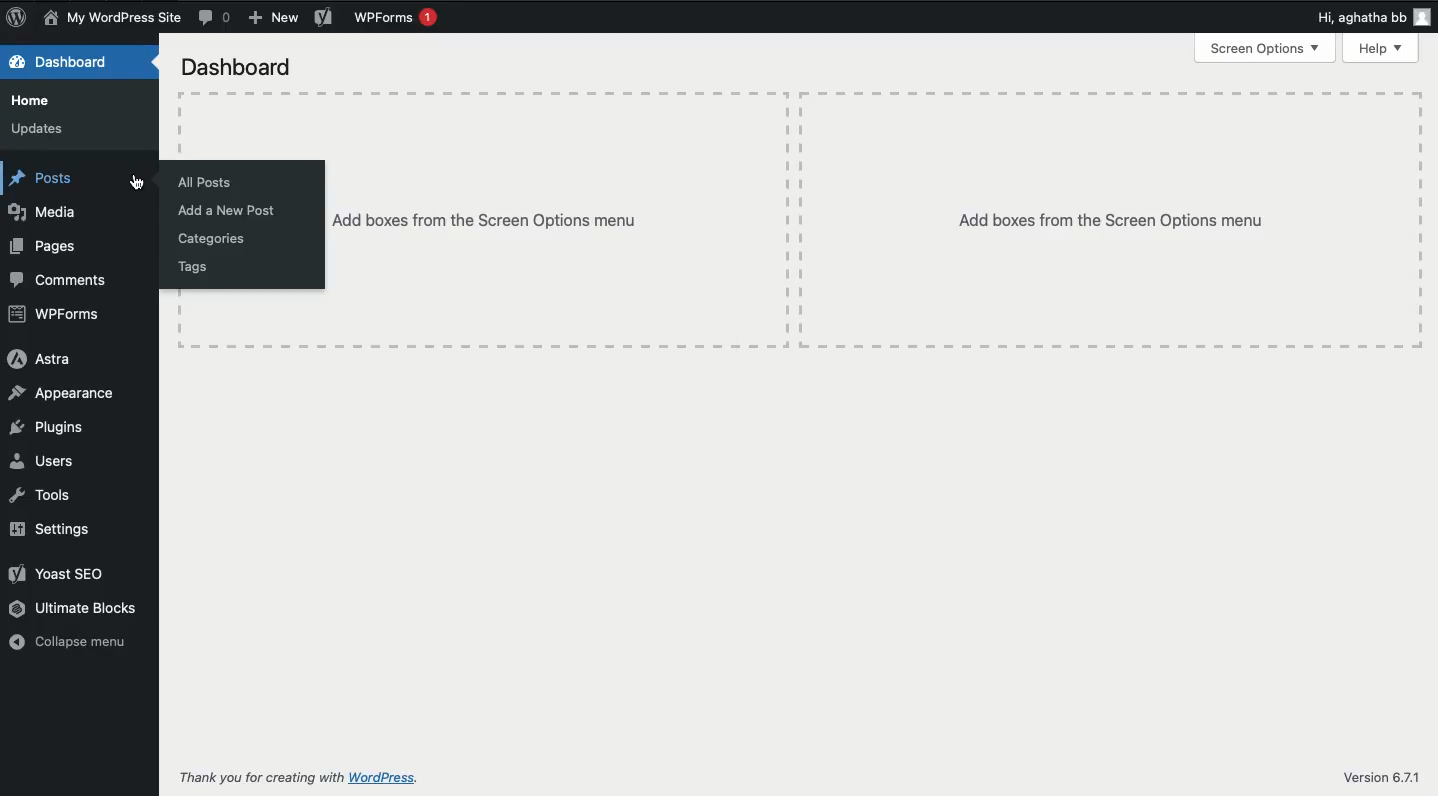 This screenshot has height=796, width=1438. Describe the element at coordinates (1372, 15) in the screenshot. I see `Hi user` at that location.